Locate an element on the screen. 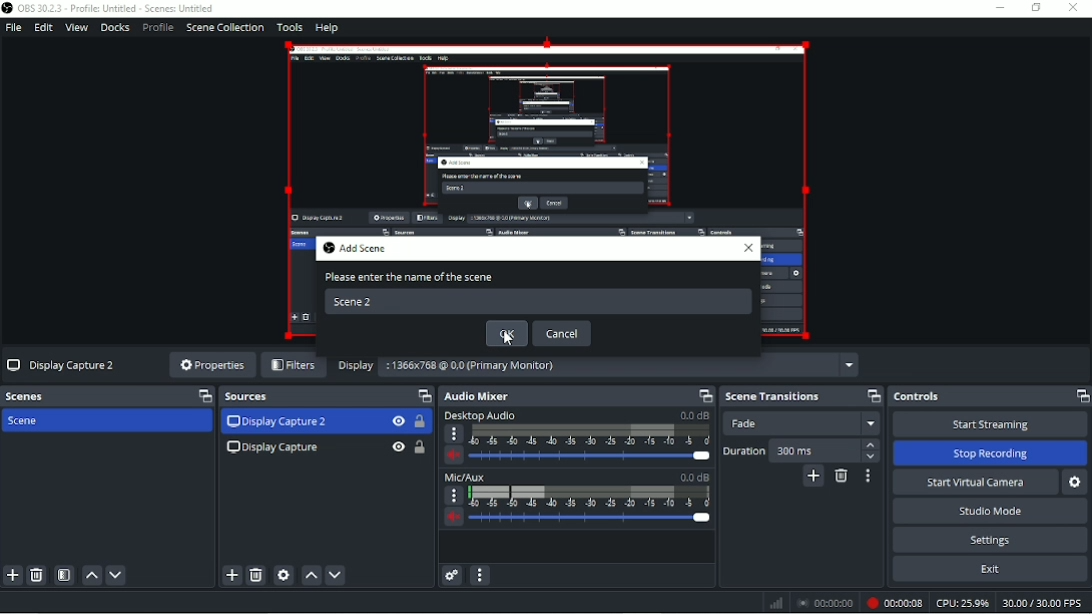  Hide is located at coordinates (399, 447).